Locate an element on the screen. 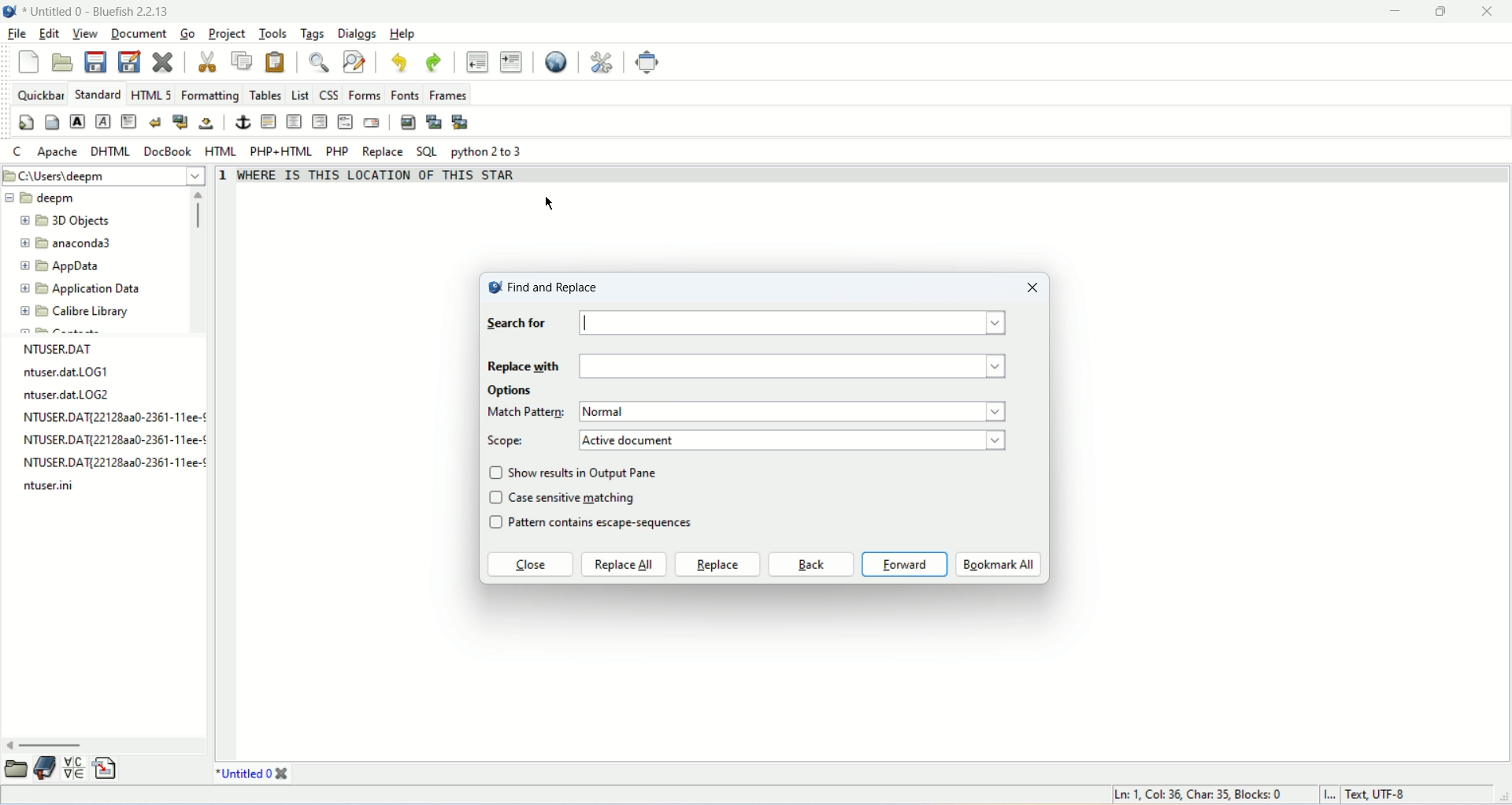  Text, UTF-8 is located at coordinates (1373, 796).